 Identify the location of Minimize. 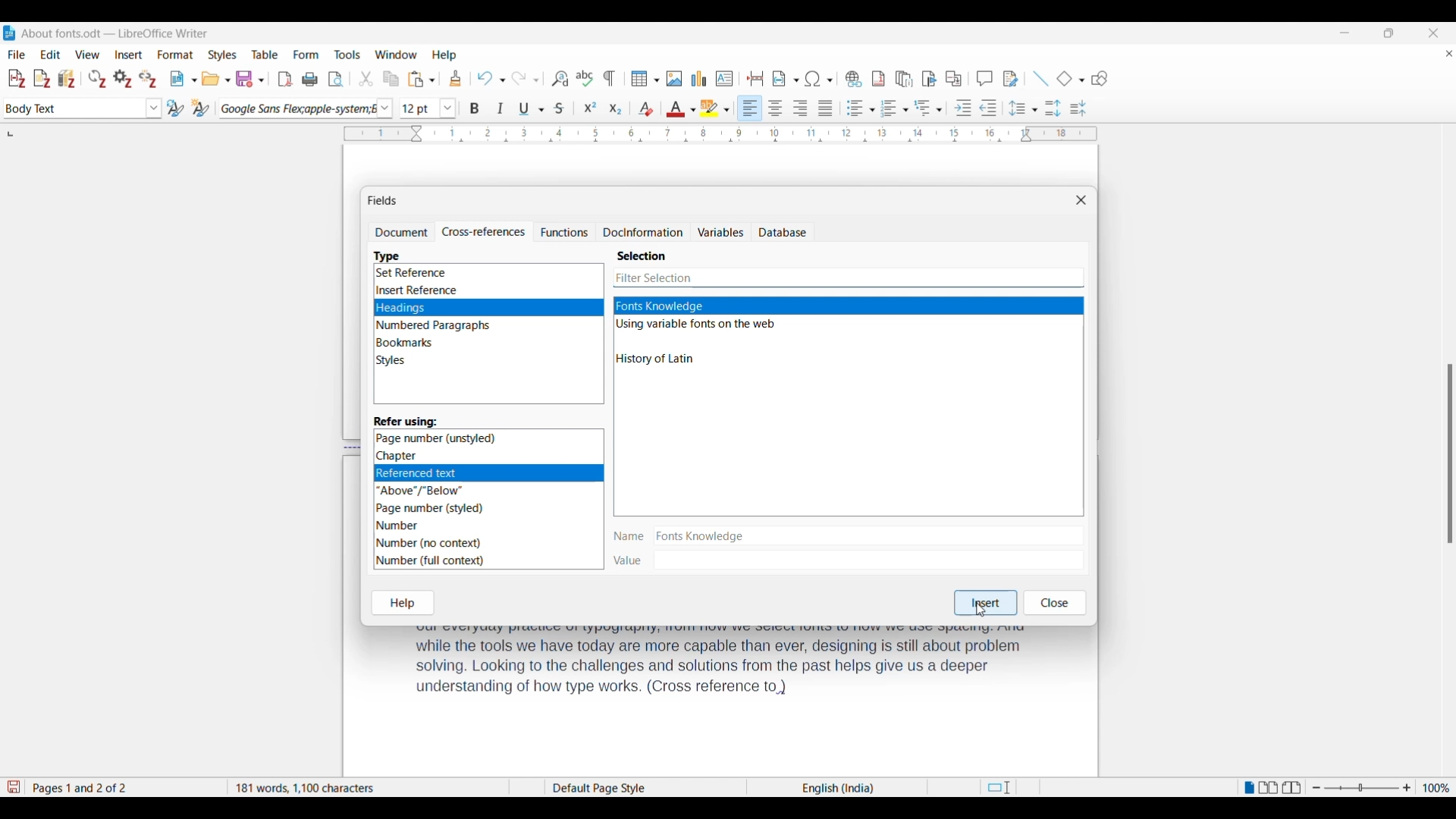
(1345, 33).